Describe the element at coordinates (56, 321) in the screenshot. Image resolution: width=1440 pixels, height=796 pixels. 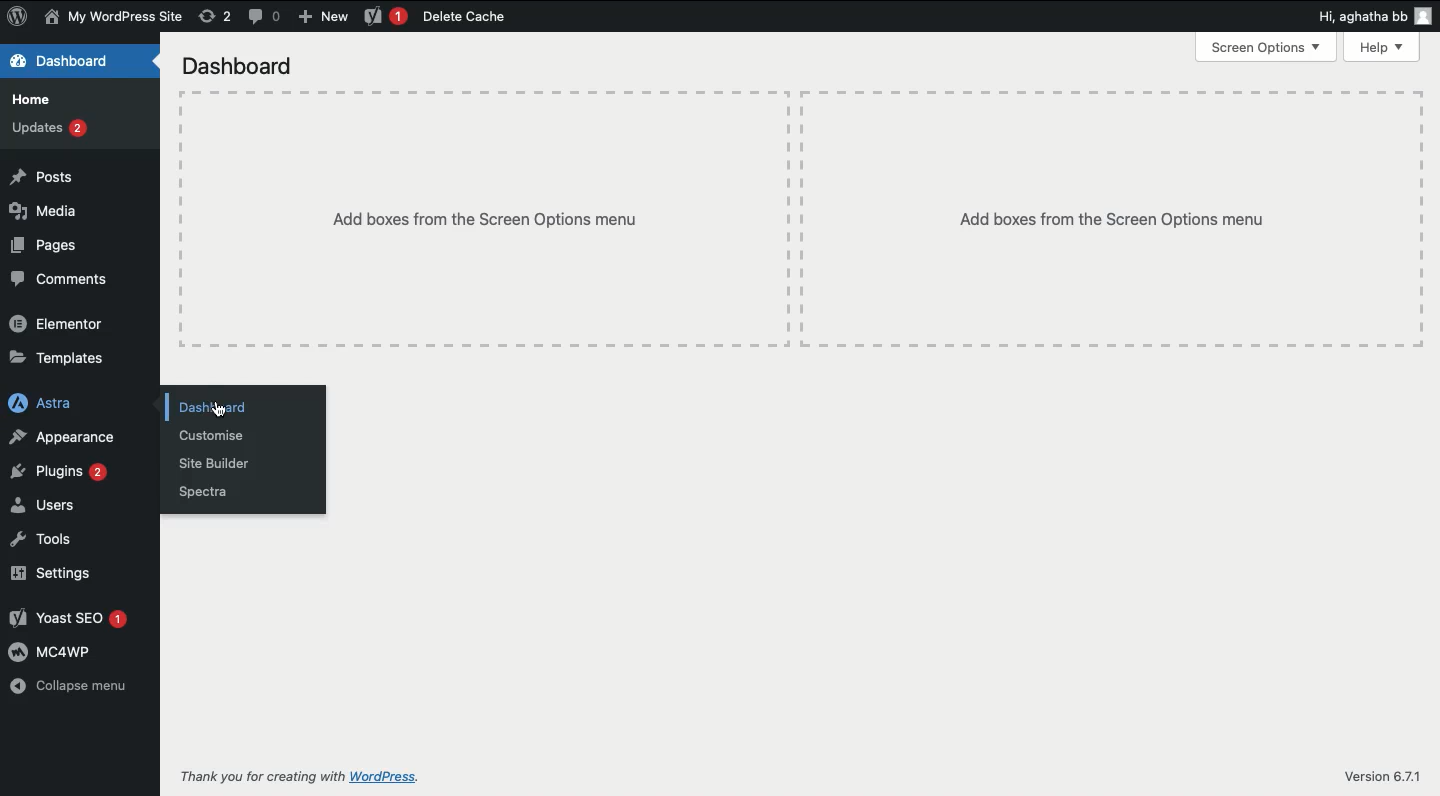
I see `Elementor` at that location.